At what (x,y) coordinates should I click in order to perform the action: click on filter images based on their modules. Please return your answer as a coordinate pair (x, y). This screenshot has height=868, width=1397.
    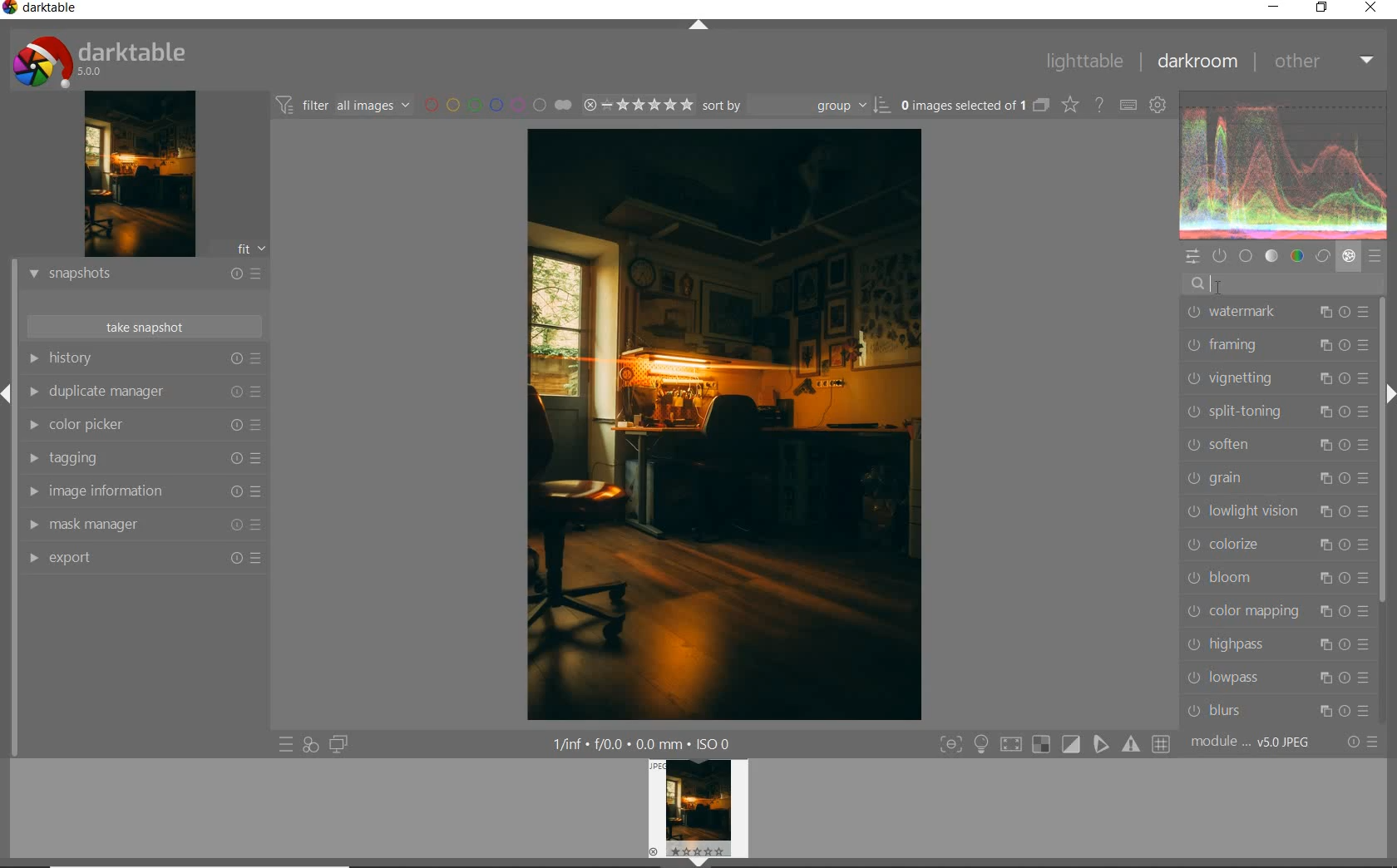
    Looking at the image, I should click on (343, 105).